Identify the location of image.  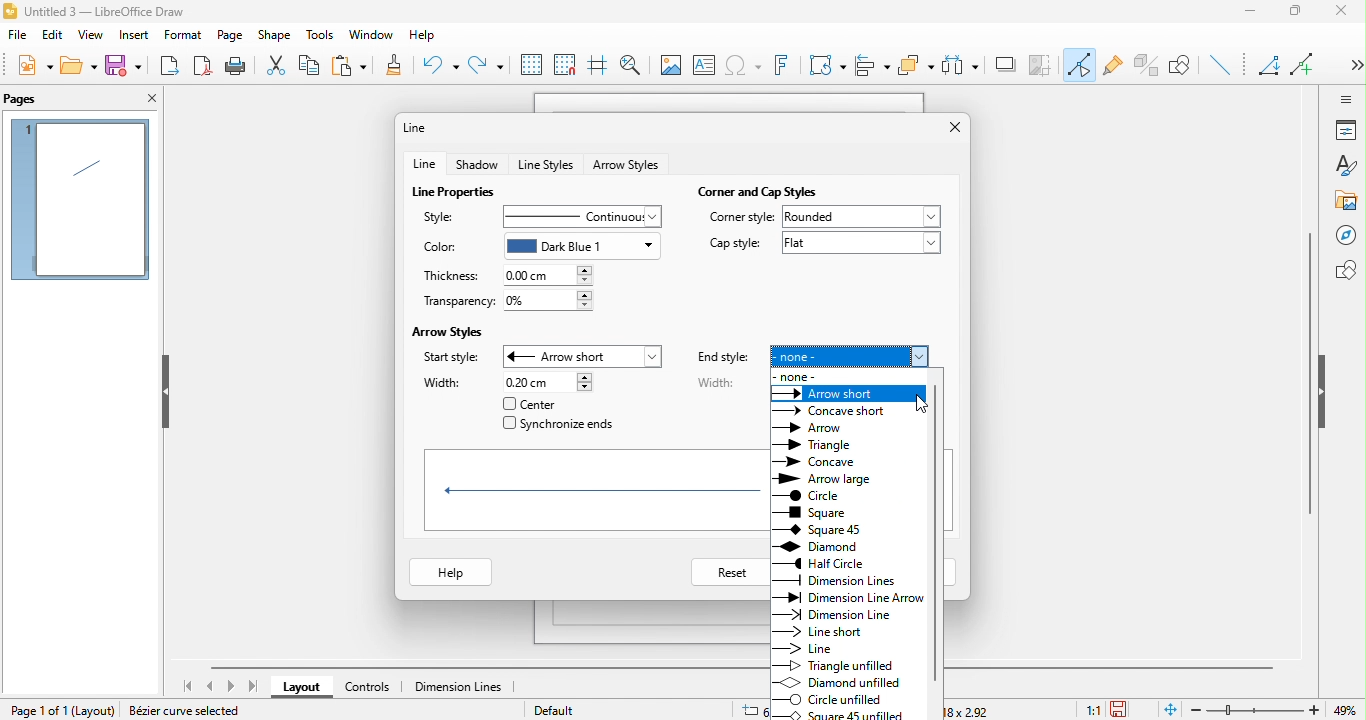
(668, 64).